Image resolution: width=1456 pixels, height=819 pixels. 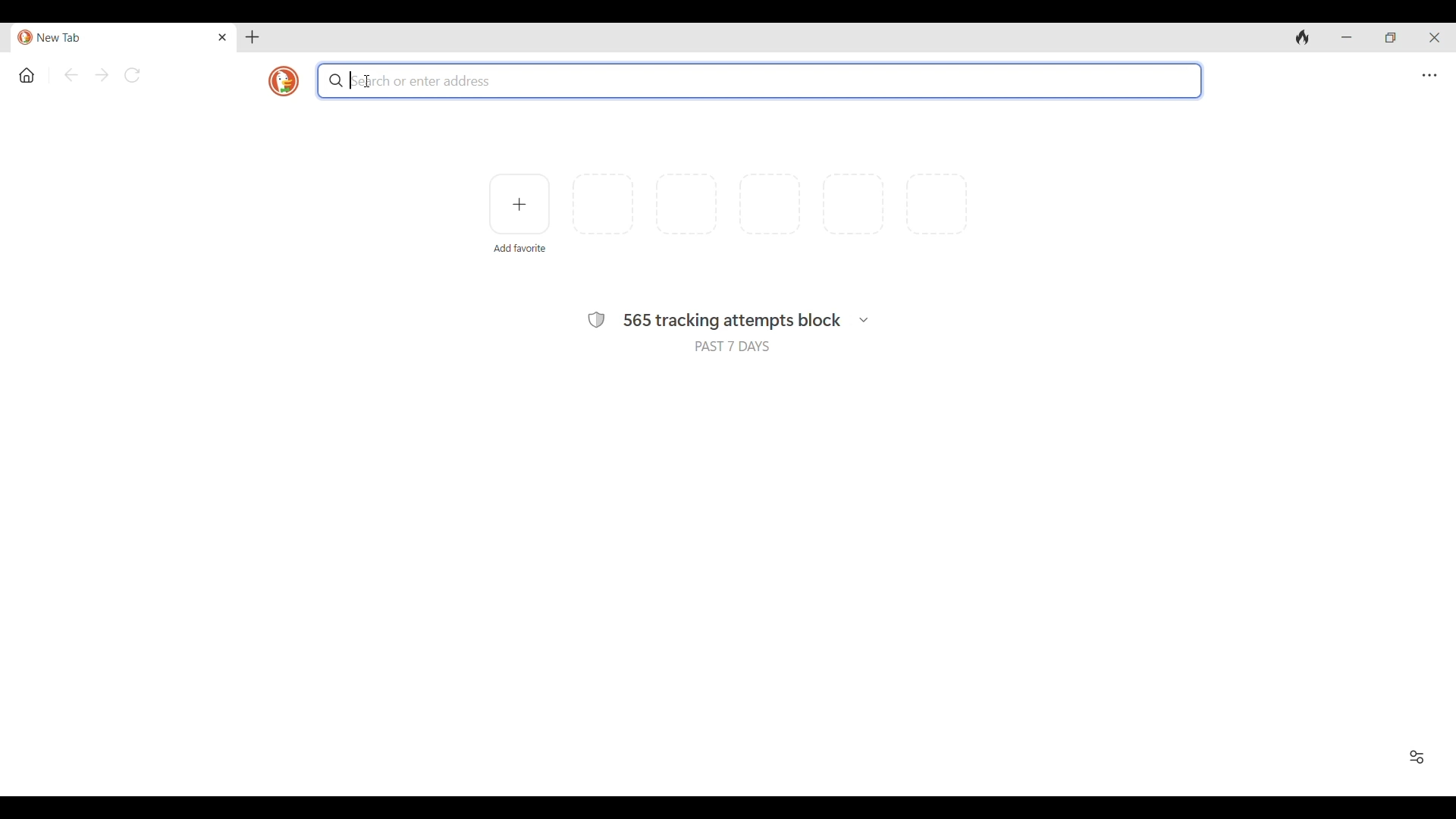 What do you see at coordinates (596, 319) in the screenshot?
I see `Browser safety symbol` at bounding box center [596, 319].